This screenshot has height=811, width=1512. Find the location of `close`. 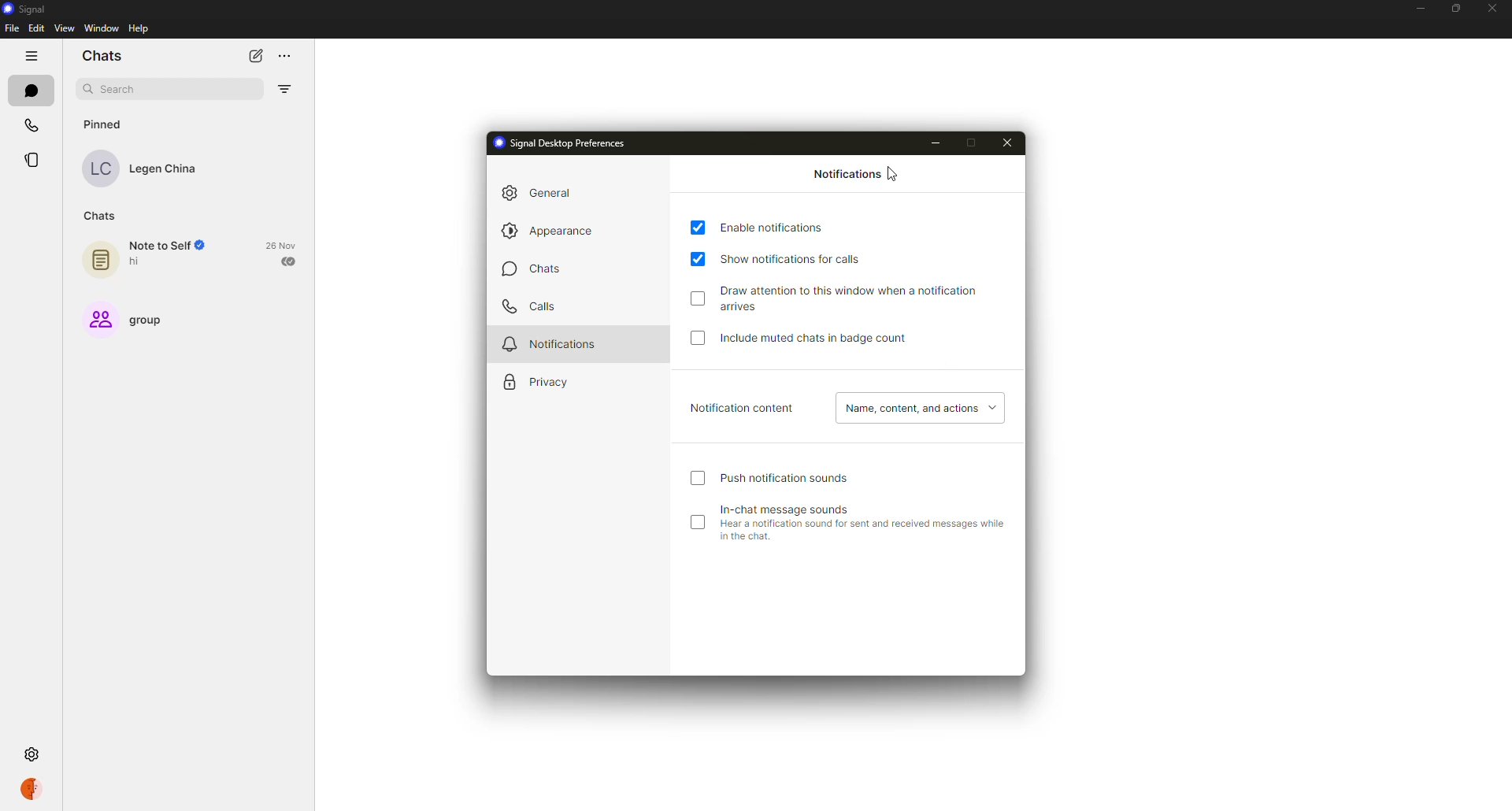

close is located at coordinates (1008, 141).